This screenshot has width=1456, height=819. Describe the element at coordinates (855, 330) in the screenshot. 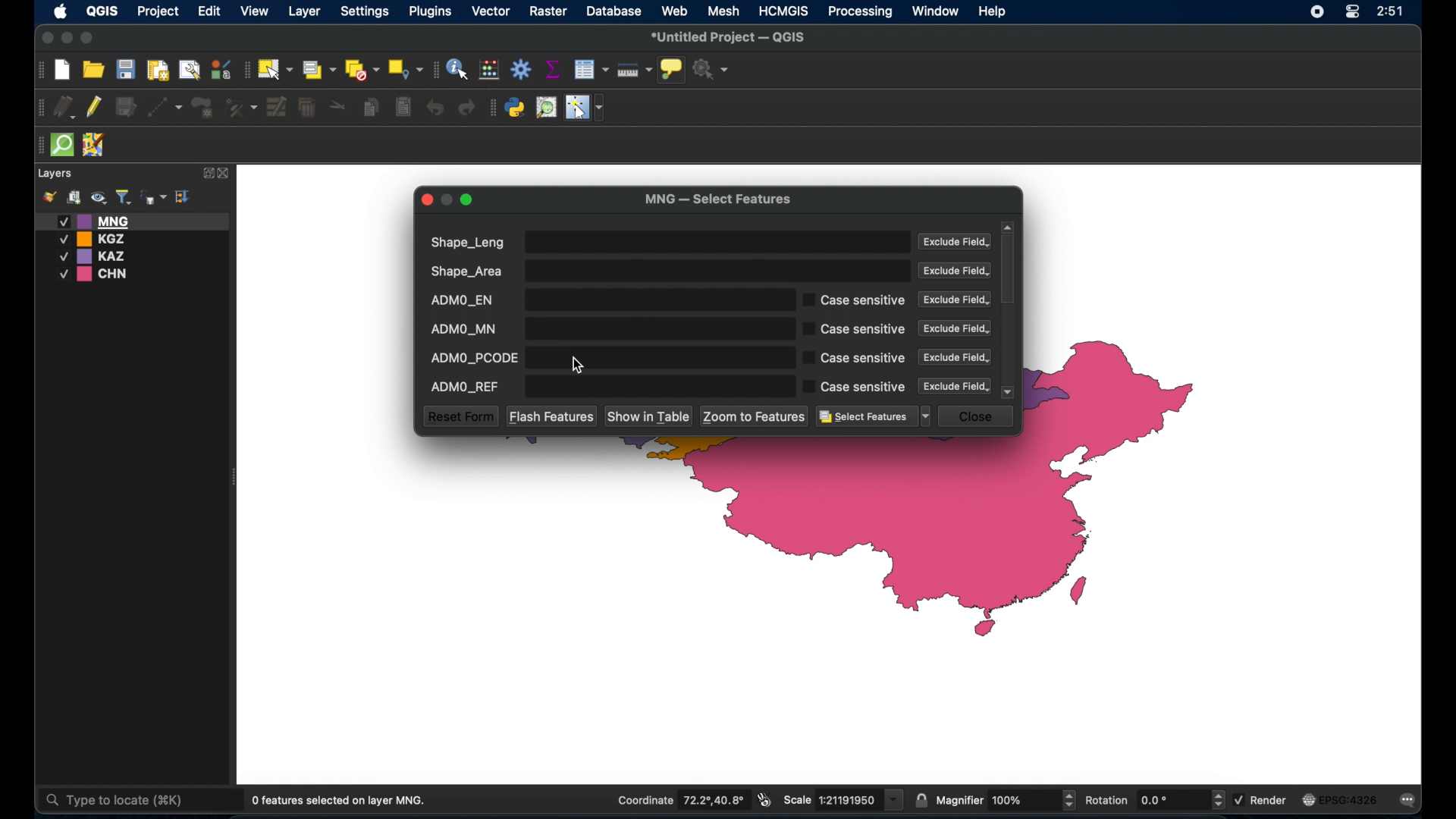

I see `case sensitive` at that location.